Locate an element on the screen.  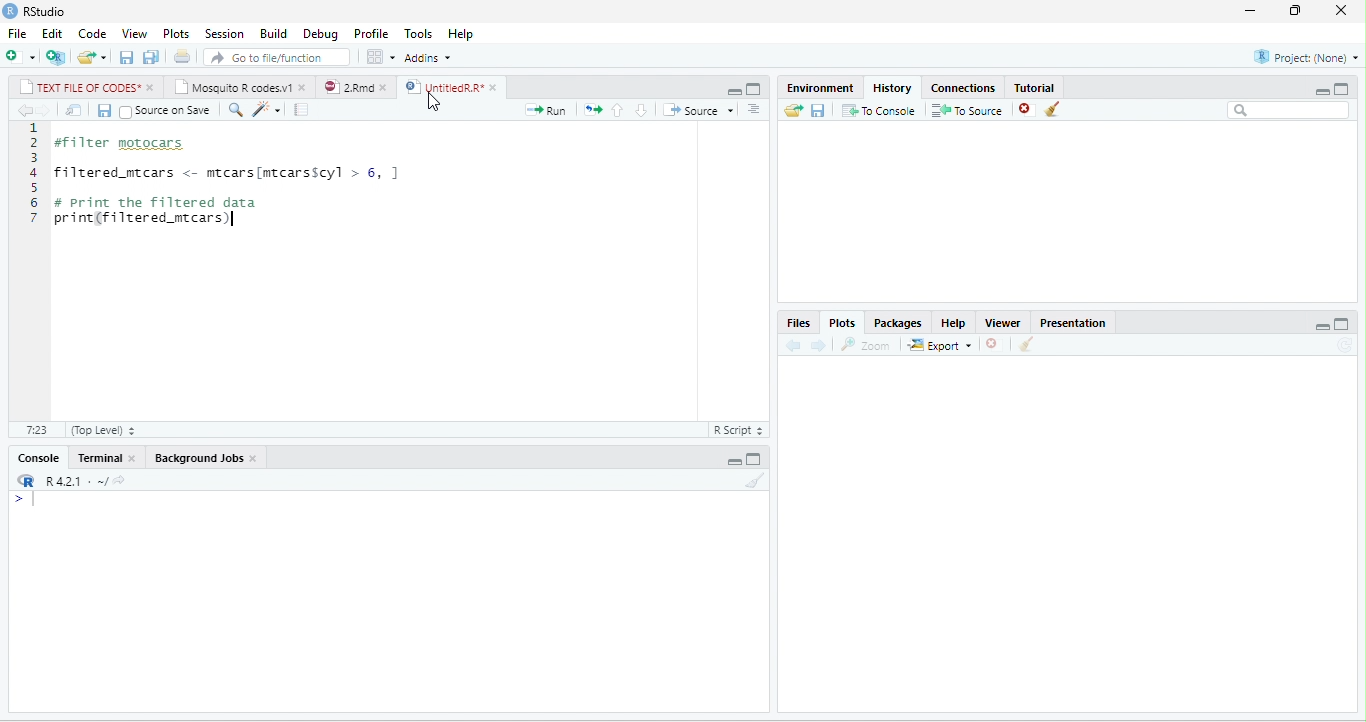
minimize is located at coordinates (734, 461).